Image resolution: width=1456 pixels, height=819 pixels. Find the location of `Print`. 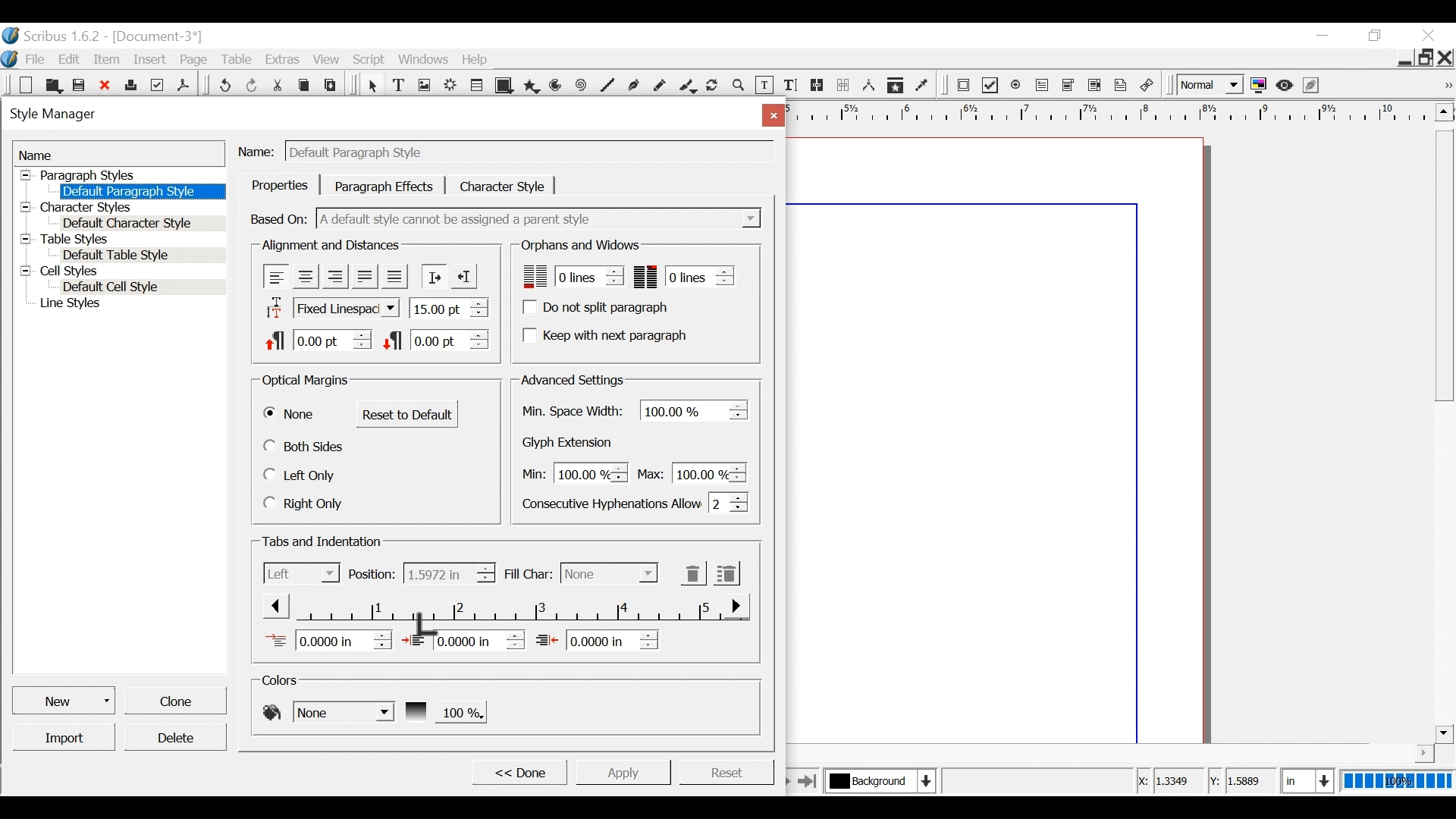

Print is located at coordinates (130, 83).